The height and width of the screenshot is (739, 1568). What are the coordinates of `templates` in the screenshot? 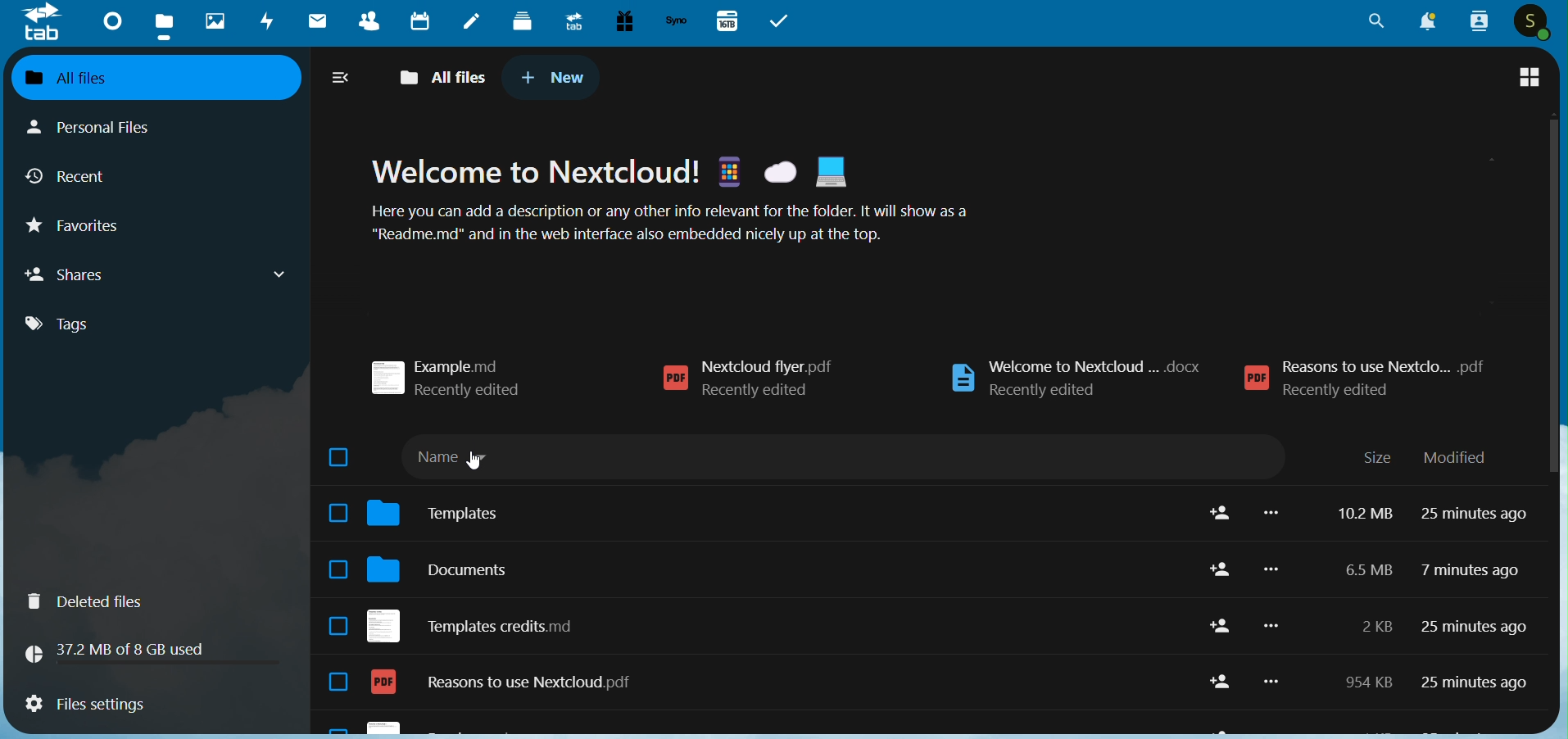 It's located at (444, 510).